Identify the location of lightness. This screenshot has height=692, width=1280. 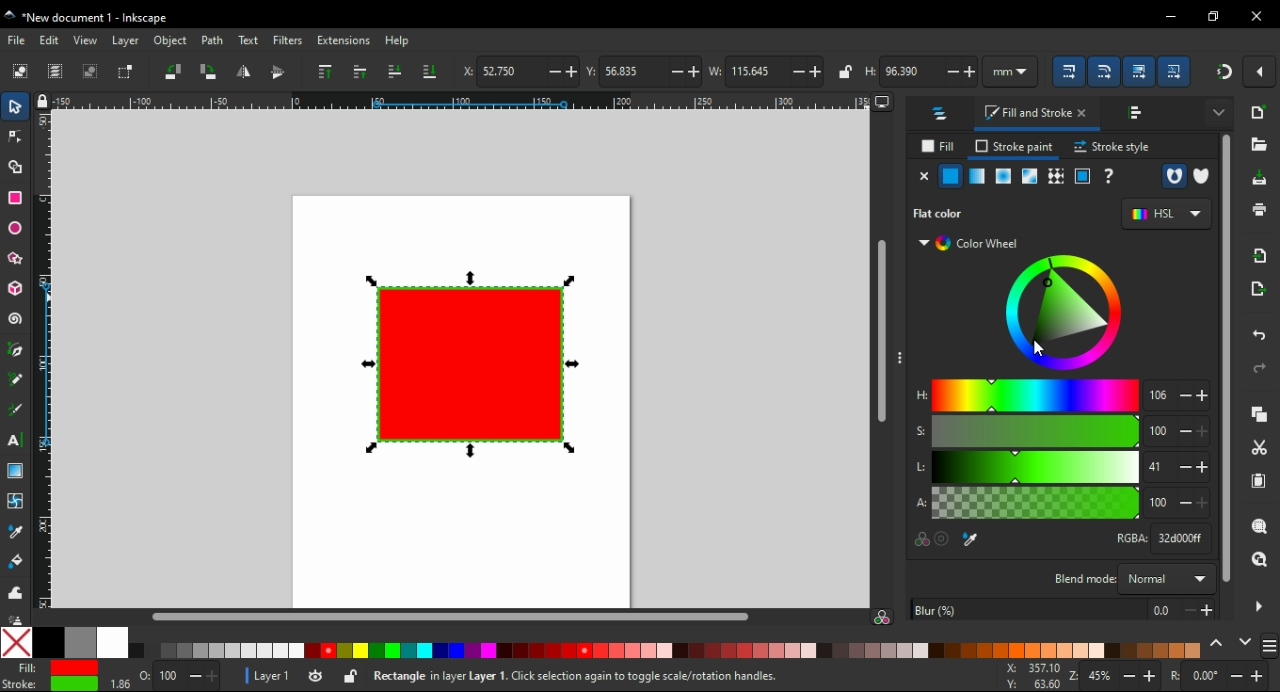
(1036, 466).